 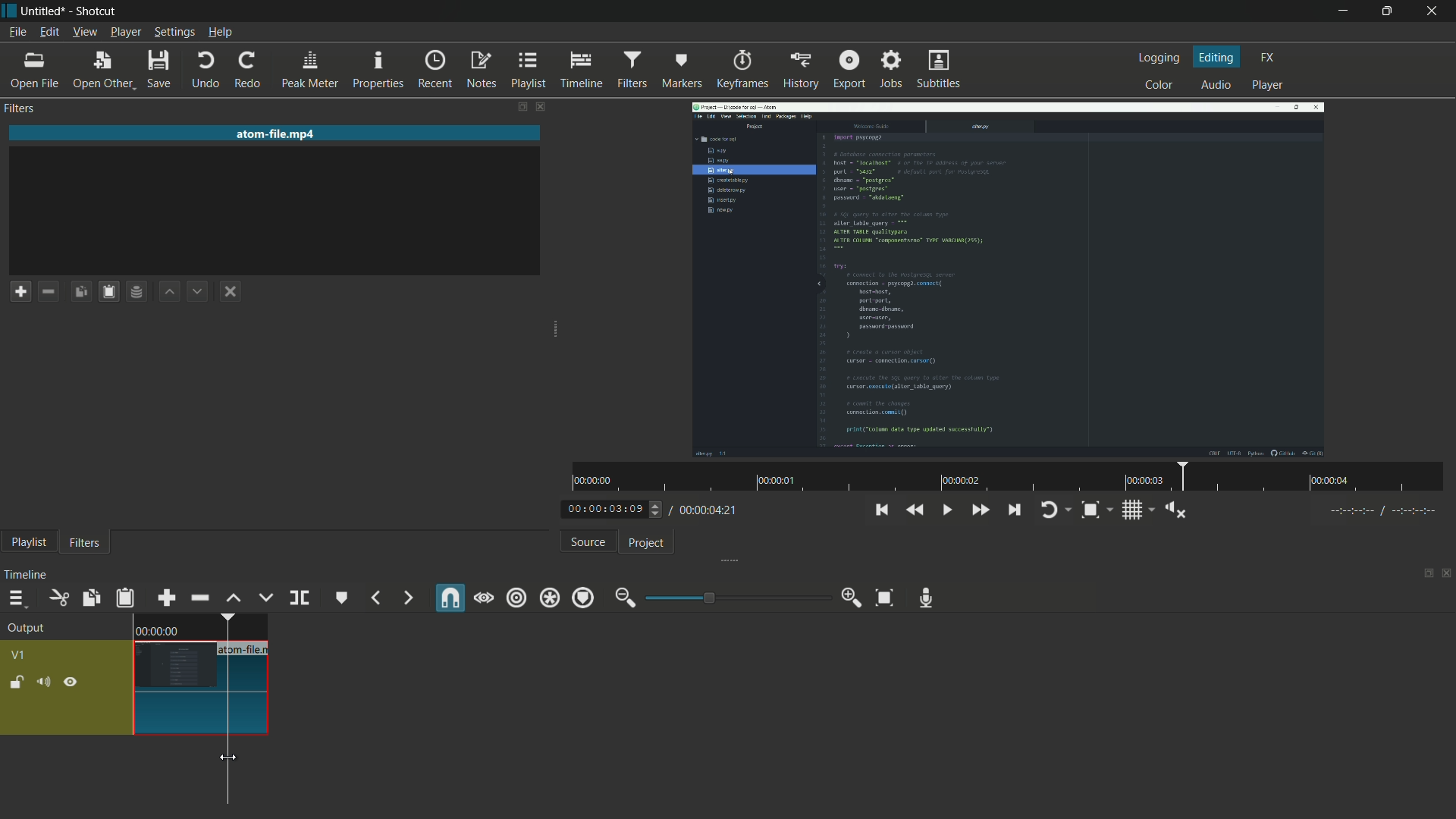 I want to click on open other, so click(x=102, y=71).